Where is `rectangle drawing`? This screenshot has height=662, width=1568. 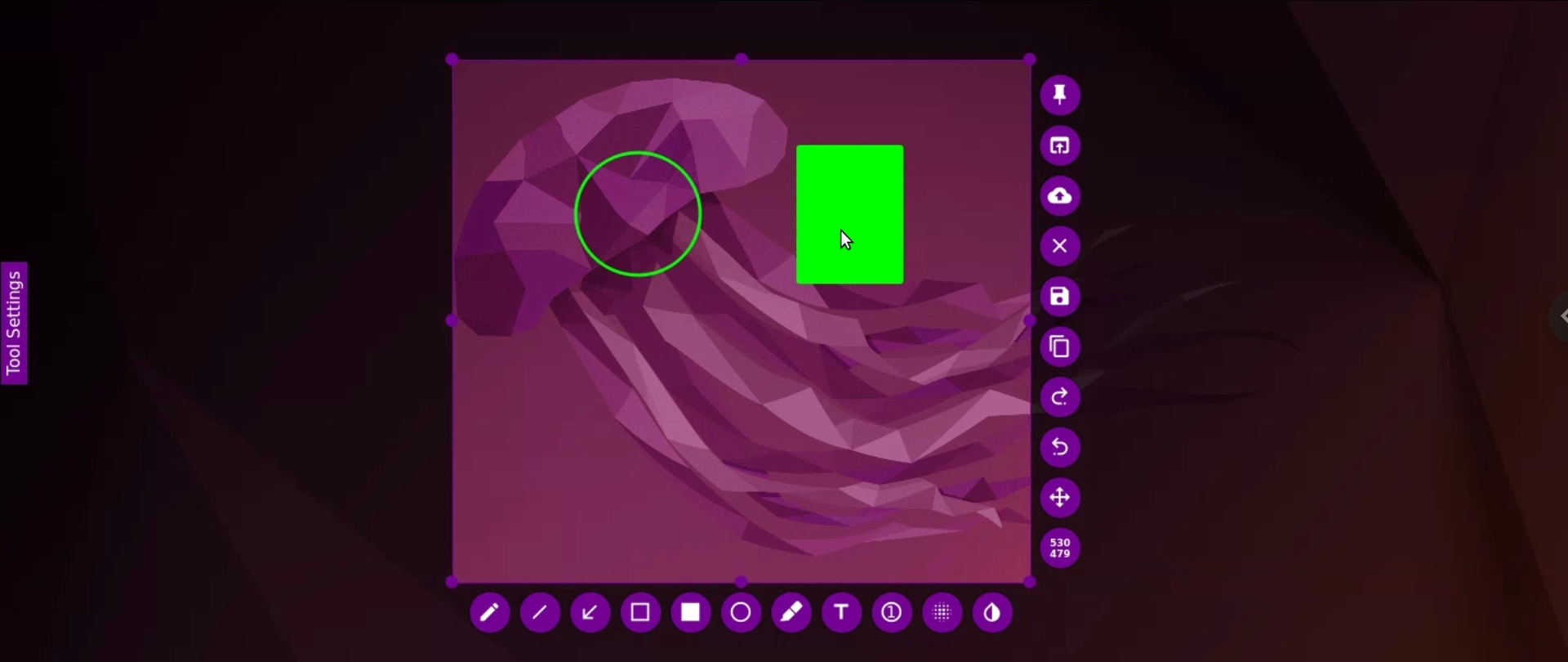 rectangle drawing is located at coordinates (856, 221).